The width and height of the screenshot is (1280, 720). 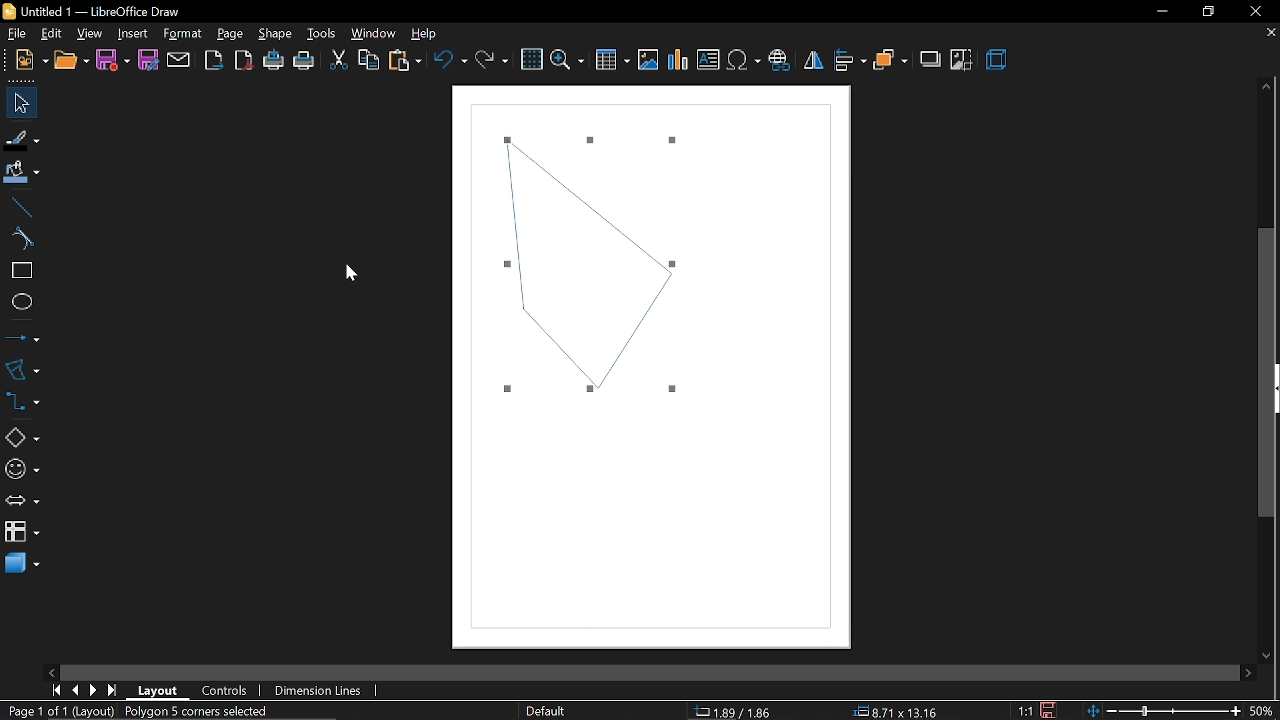 I want to click on insert, so click(x=132, y=33).